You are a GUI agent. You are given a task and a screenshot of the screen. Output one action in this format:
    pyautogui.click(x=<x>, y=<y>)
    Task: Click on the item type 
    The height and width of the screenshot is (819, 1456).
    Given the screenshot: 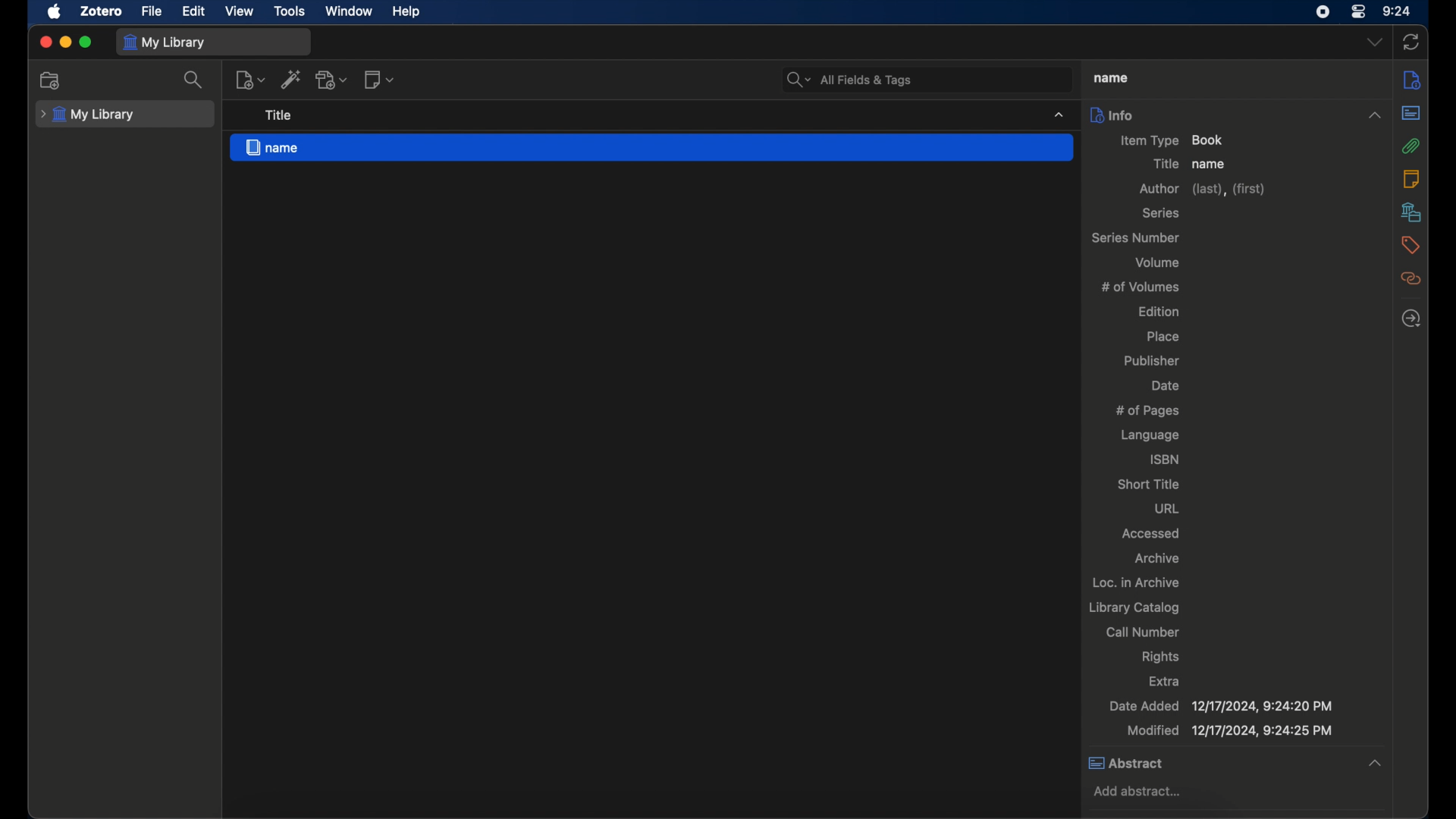 What is the action you would take?
    pyautogui.click(x=1173, y=140)
    